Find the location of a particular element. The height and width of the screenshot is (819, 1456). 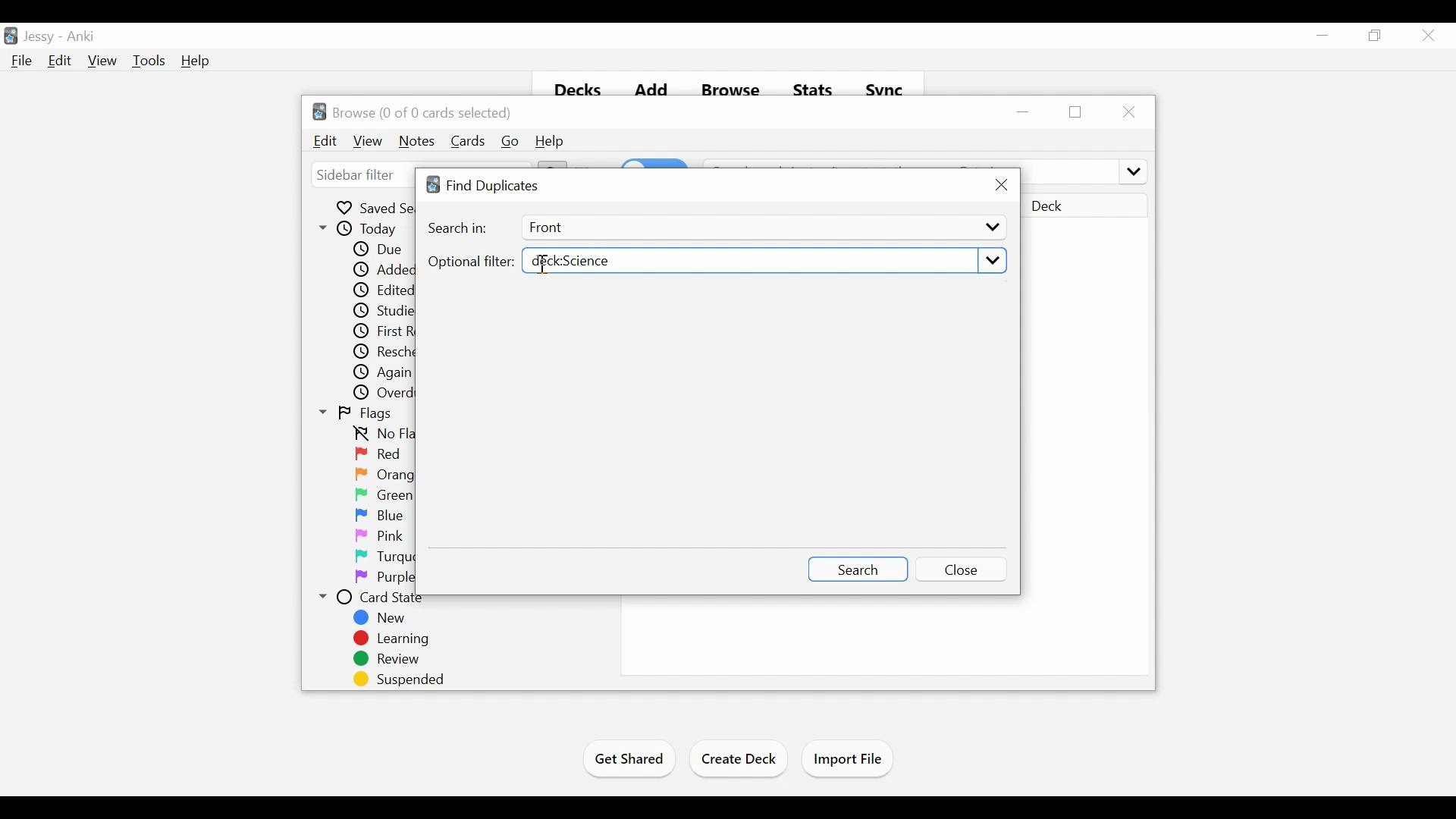

Suspended is located at coordinates (395, 679).